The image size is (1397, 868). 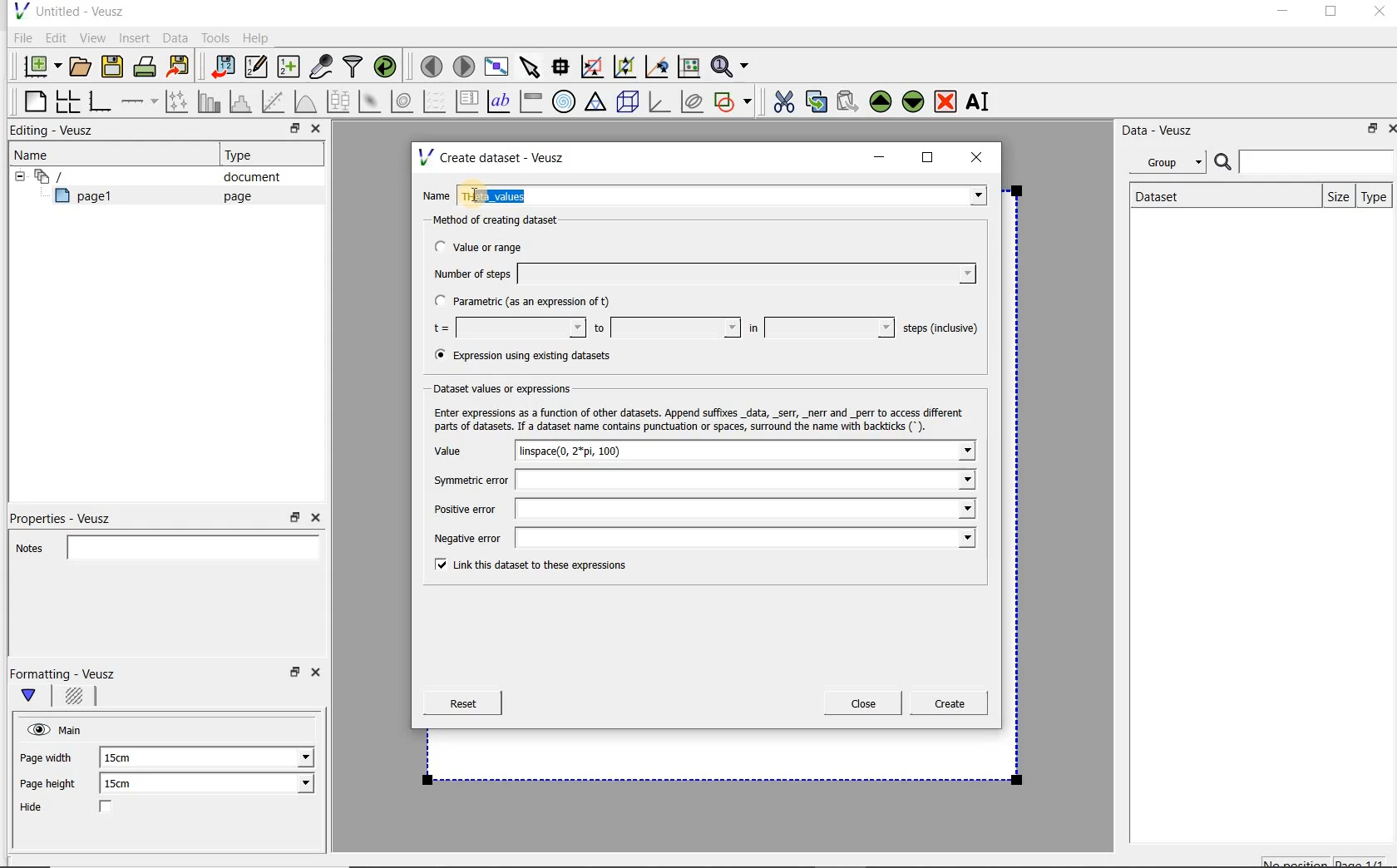 I want to click on Untitled - Veusz, so click(x=67, y=10).